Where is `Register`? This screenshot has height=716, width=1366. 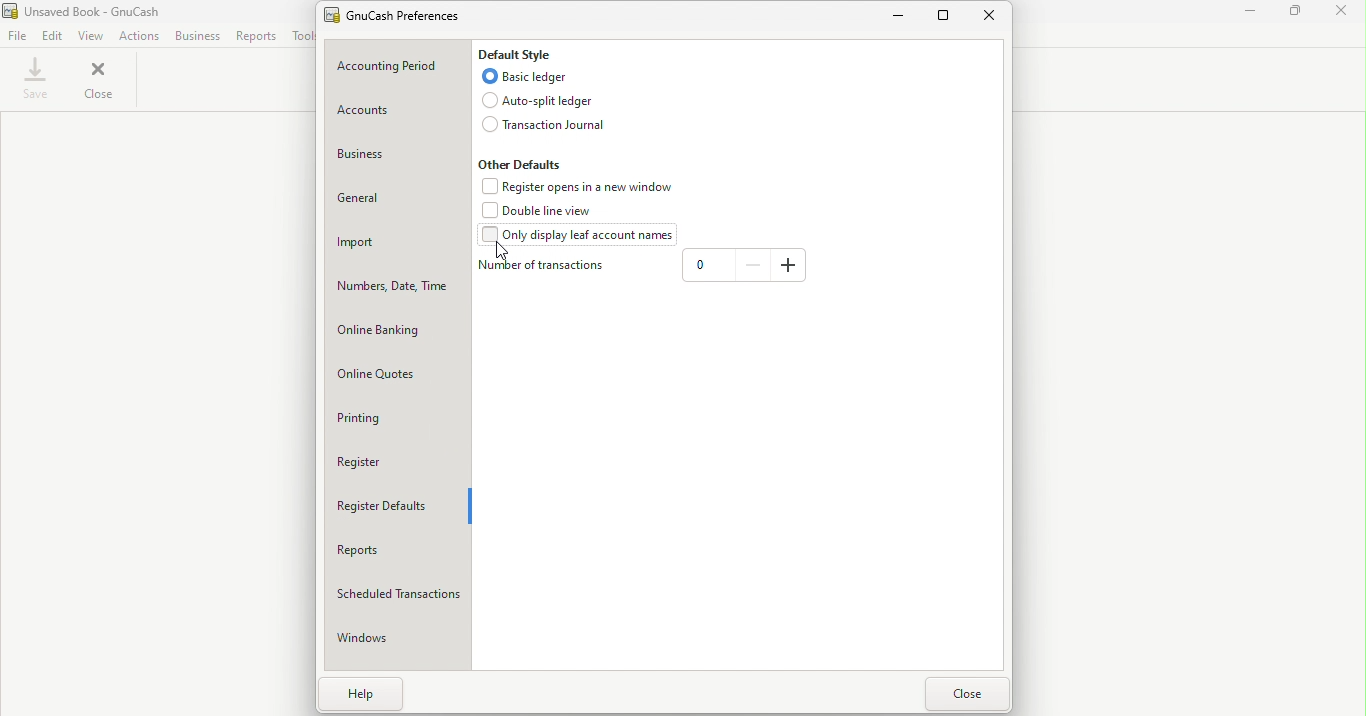
Register is located at coordinates (396, 461).